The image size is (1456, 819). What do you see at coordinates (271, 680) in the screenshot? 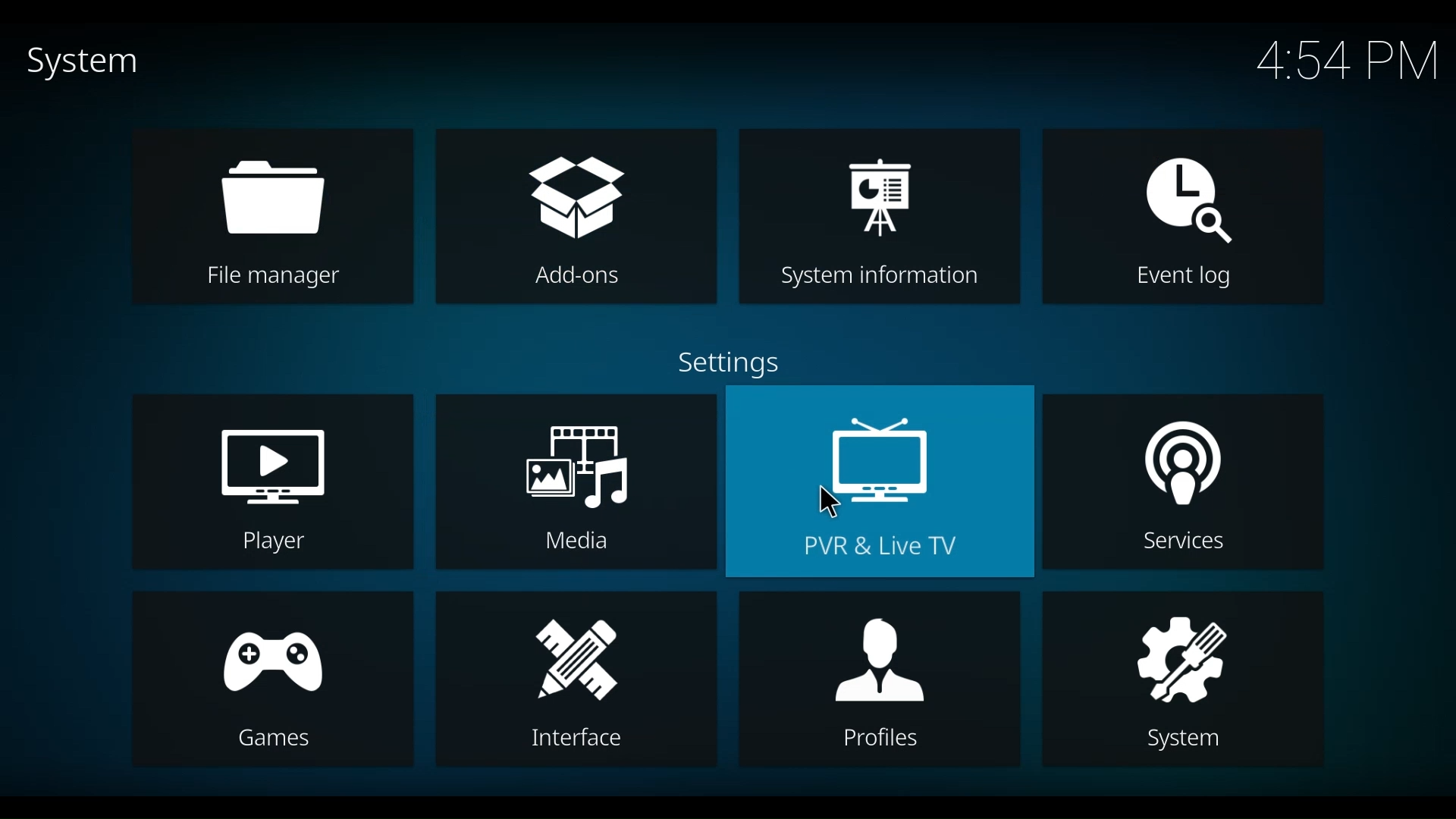
I see `Games` at bounding box center [271, 680].